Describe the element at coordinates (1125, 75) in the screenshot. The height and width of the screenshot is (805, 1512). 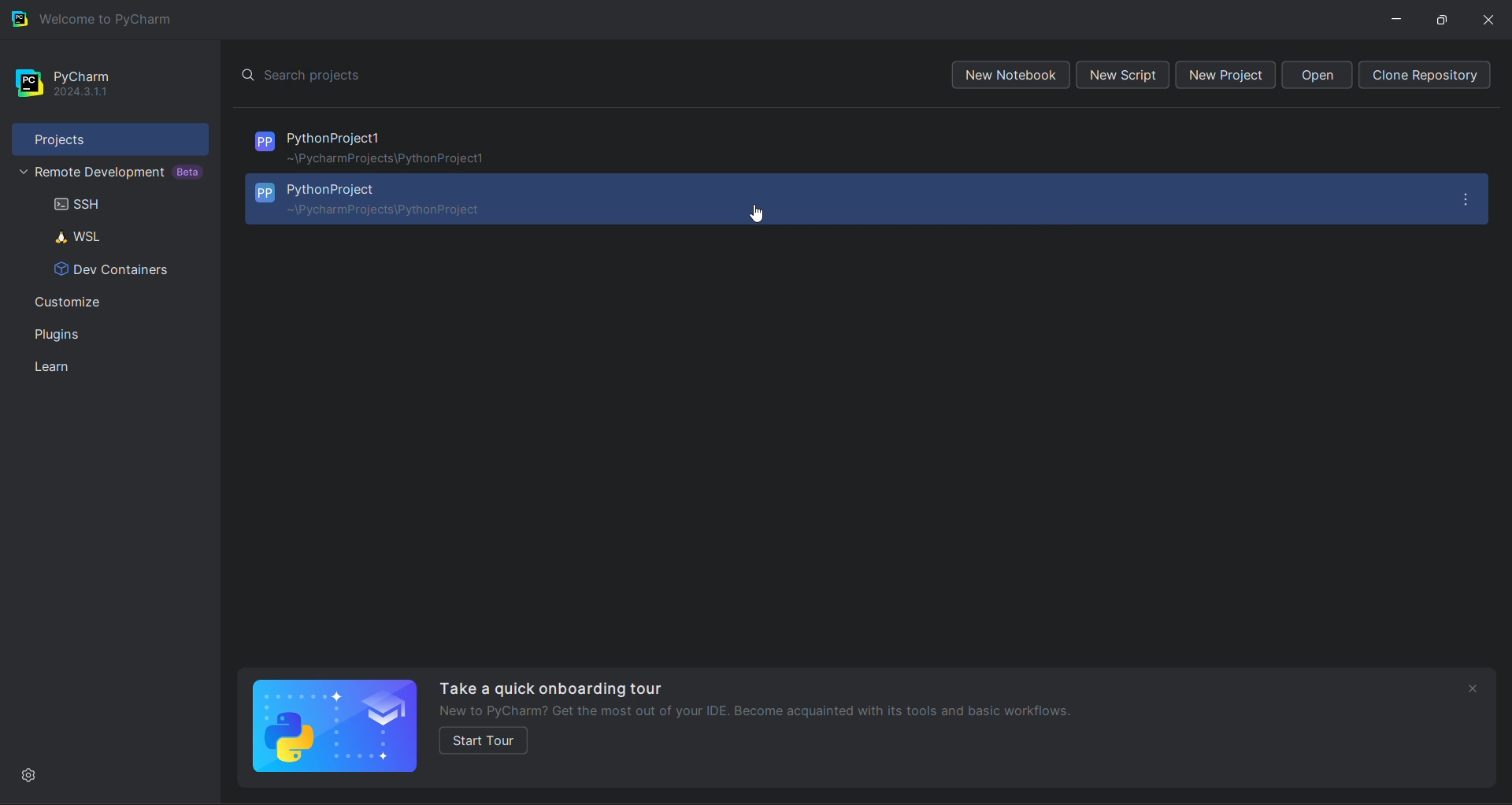
I see `new script` at that location.